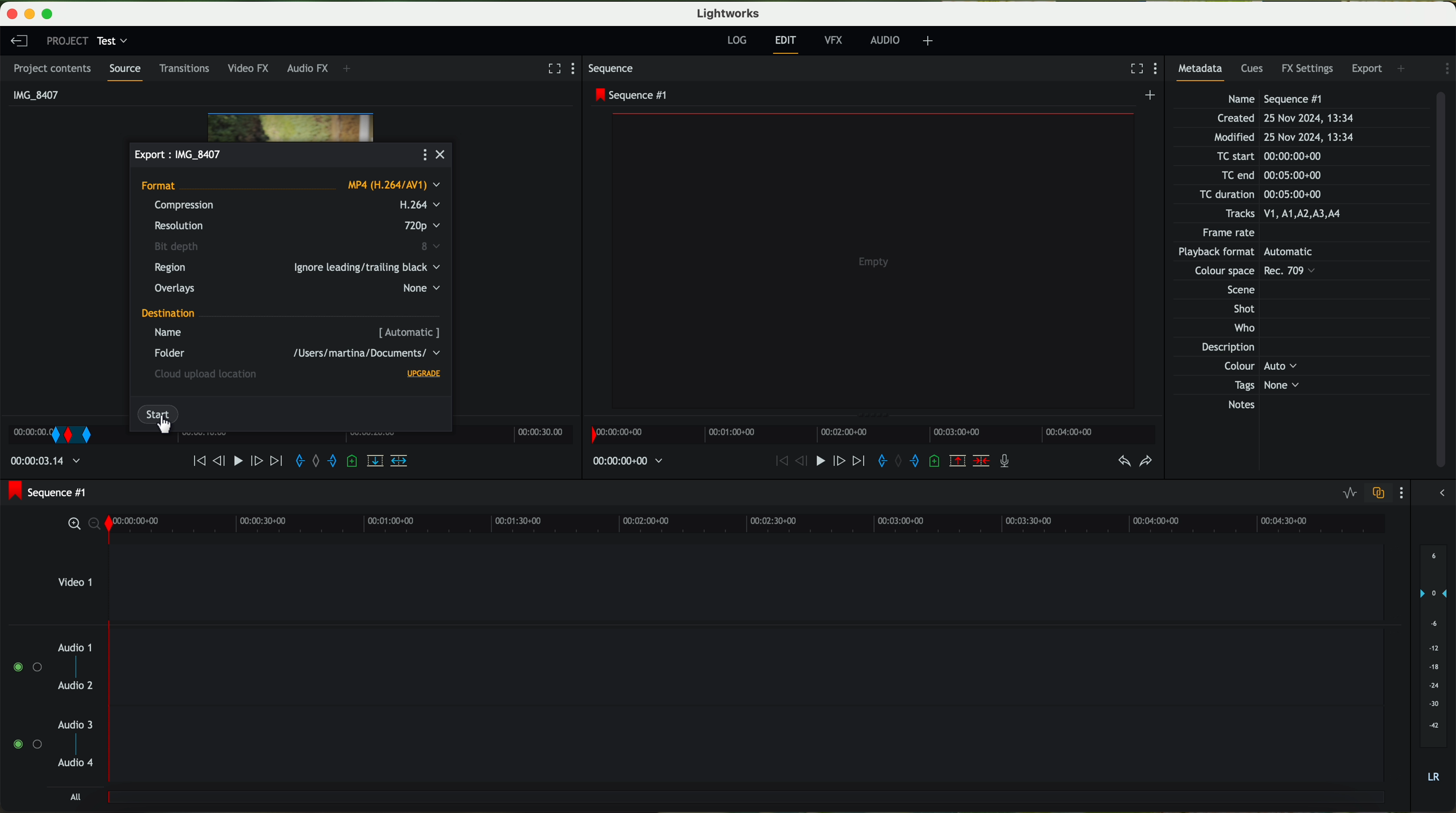 This screenshot has width=1456, height=813. I want to click on fullscreen, so click(1132, 68).